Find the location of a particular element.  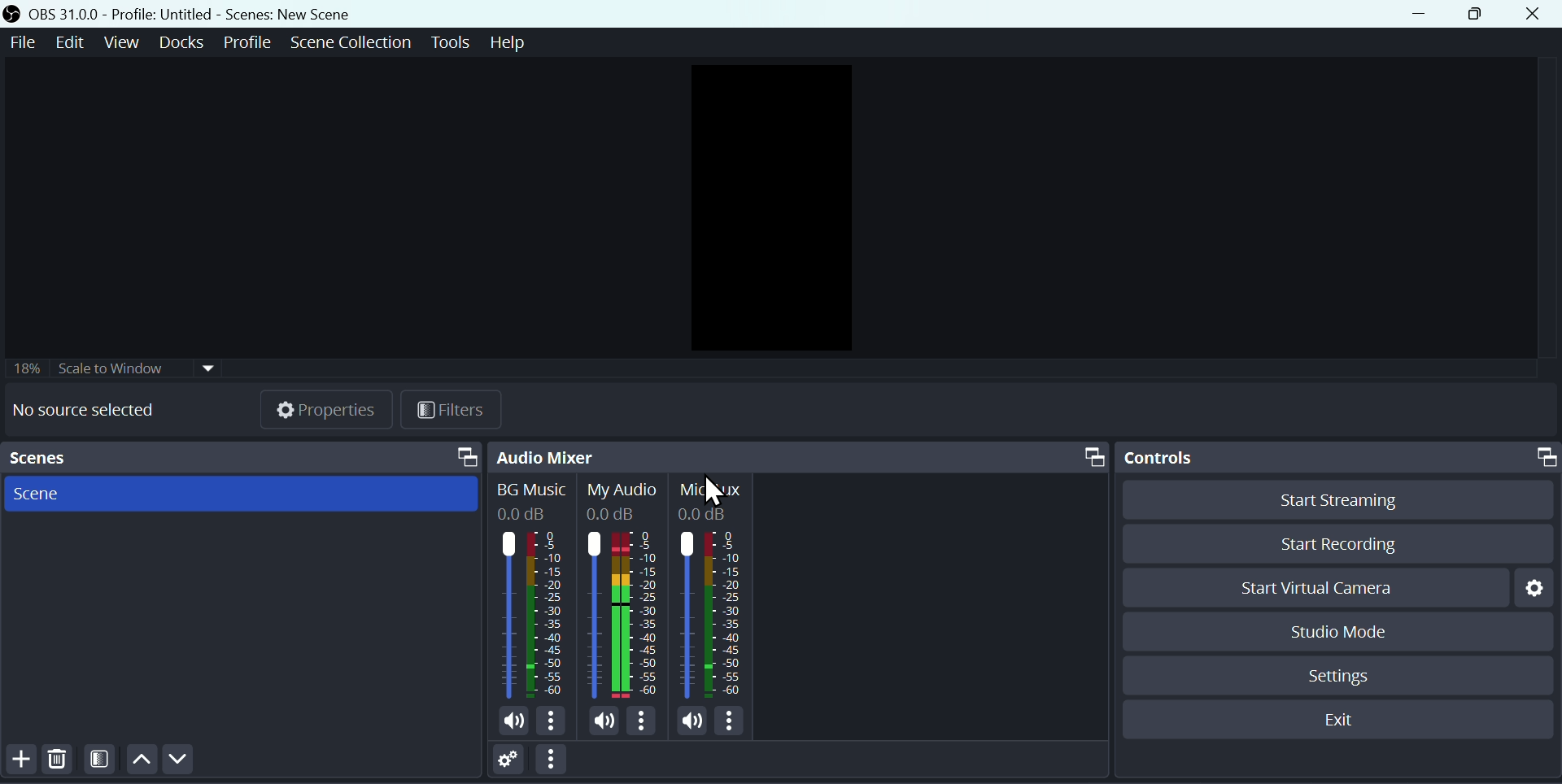

Delete is located at coordinates (59, 761).